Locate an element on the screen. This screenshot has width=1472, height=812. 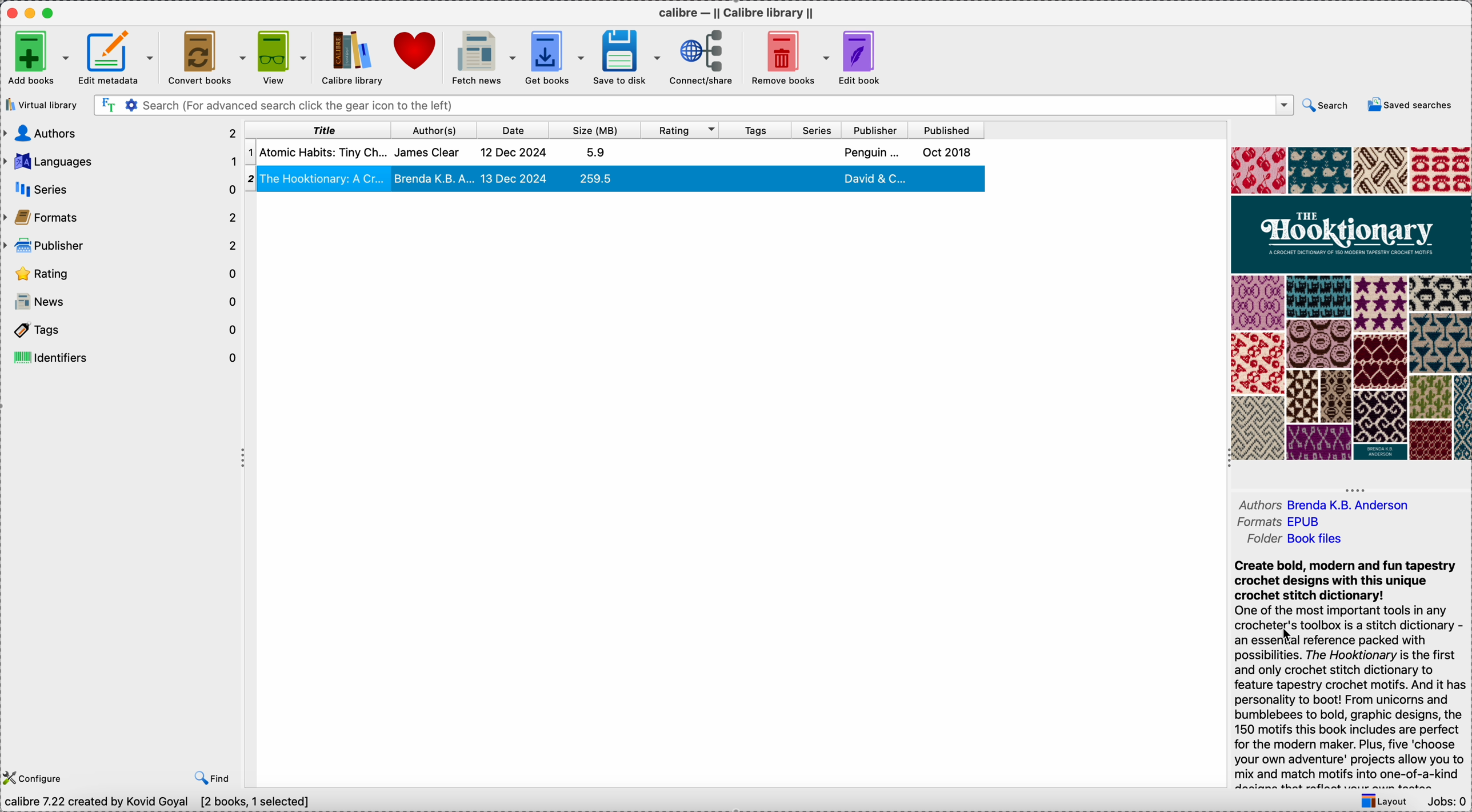
search is located at coordinates (1326, 106).